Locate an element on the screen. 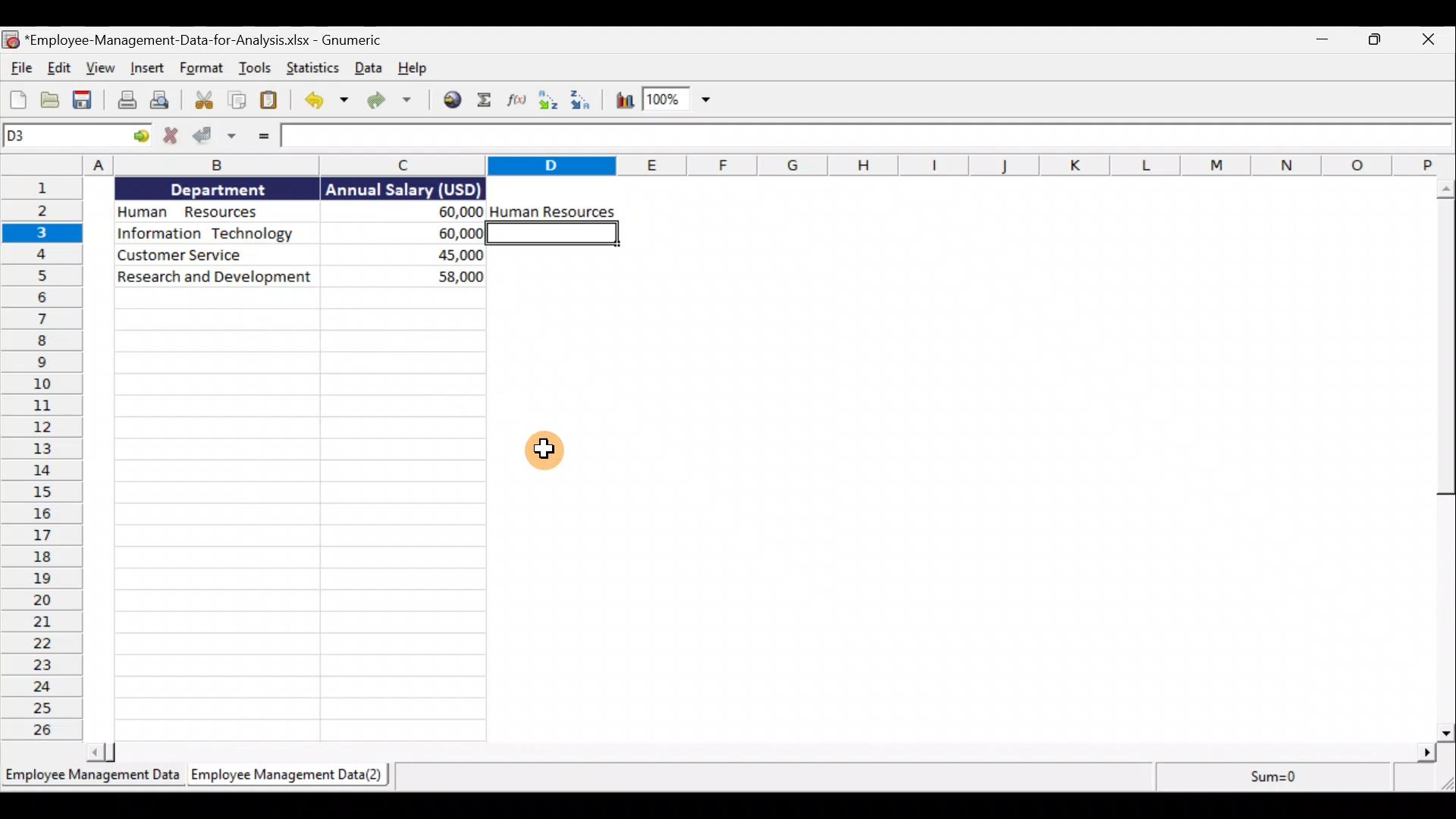  View is located at coordinates (99, 71).